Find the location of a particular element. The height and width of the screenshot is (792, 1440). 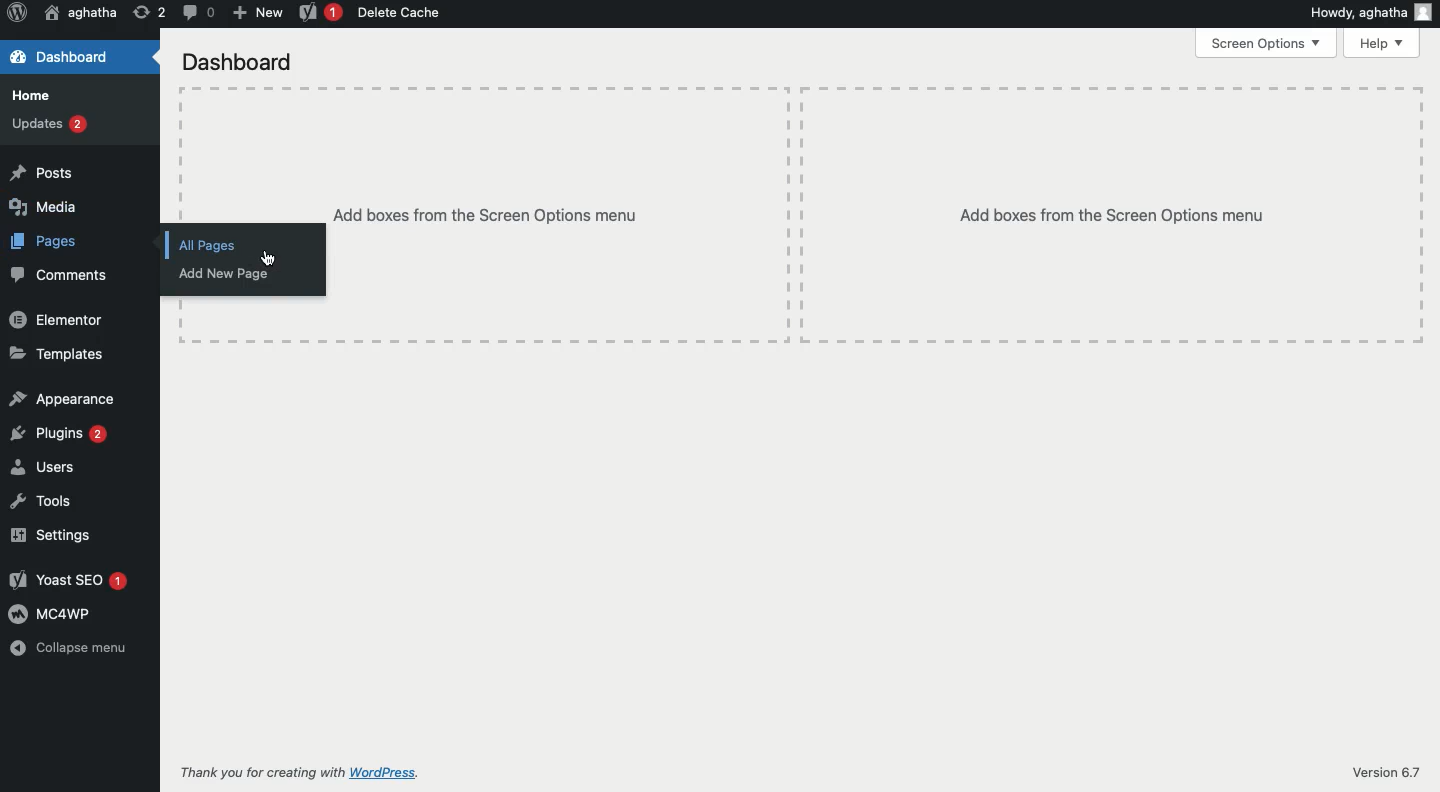

Appearance is located at coordinates (63, 398).